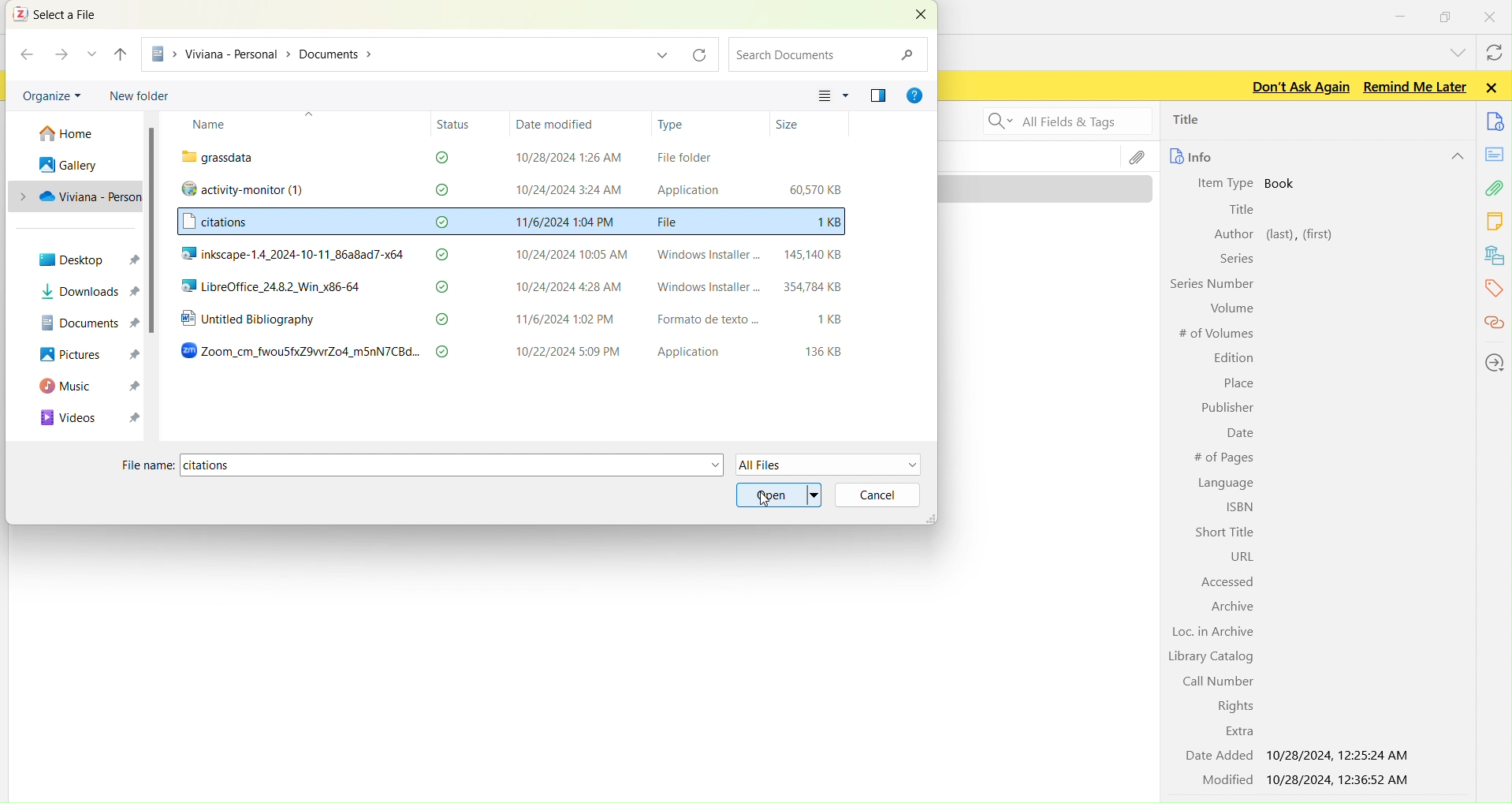  What do you see at coordinates (788, 125) in the screenshot?
I see `Size` at bounding box center [788, 125].